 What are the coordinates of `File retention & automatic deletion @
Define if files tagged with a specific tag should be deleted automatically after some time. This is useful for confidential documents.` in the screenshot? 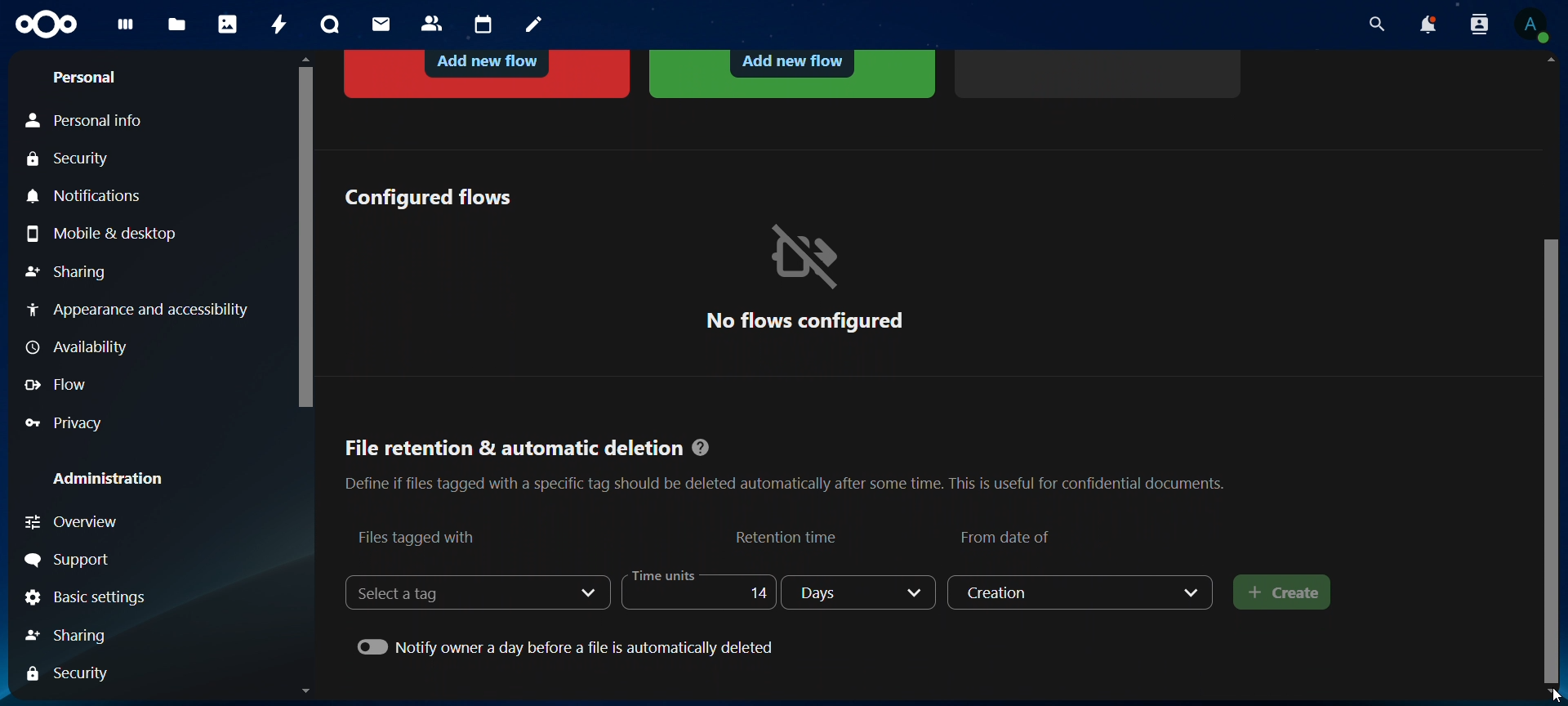 It's located at (784, 460).